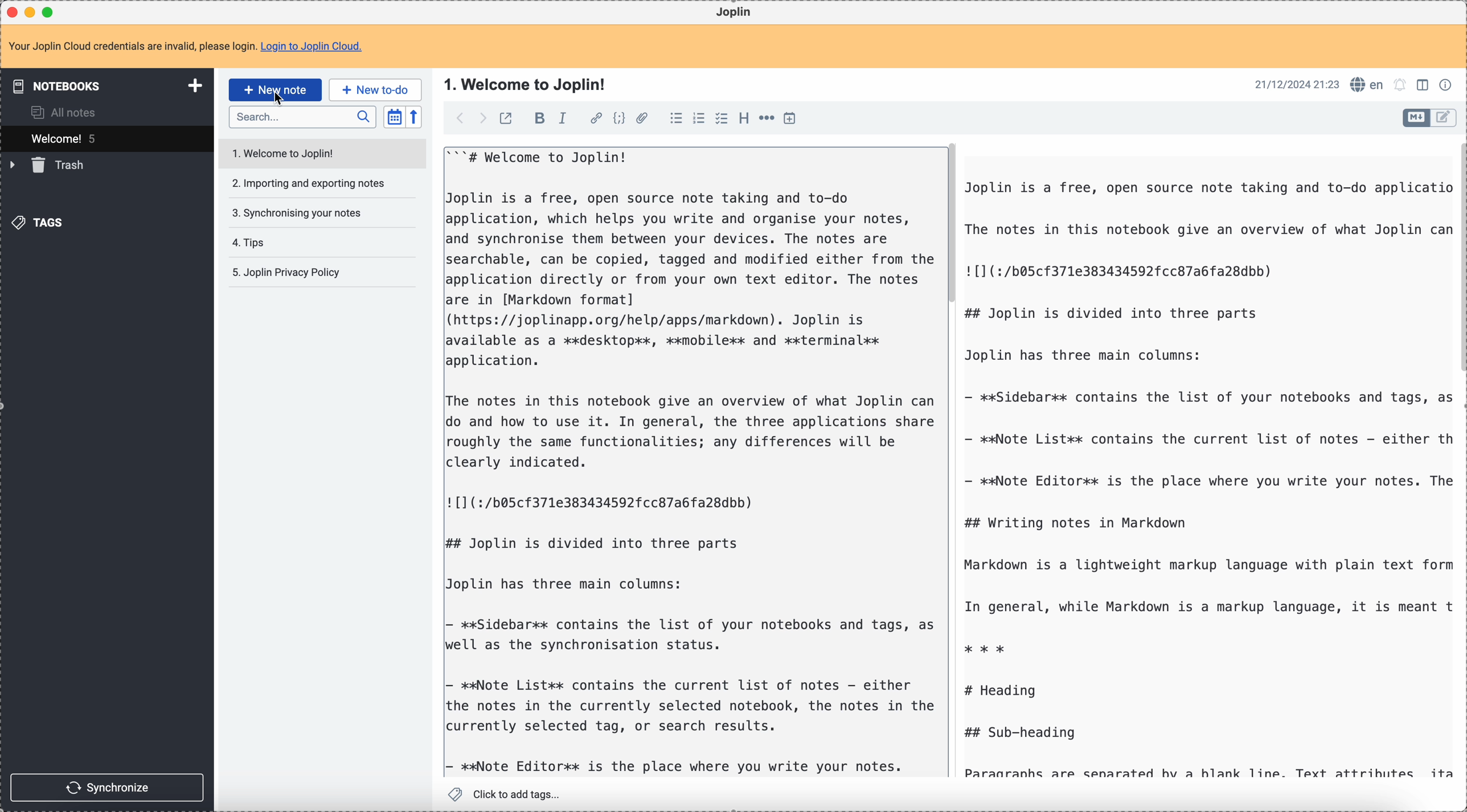 This screenshot has width=1467, height=812. Describe the element at coordinates (1425, 87) in the screenshot. I see `toggle edit layout` at that location.